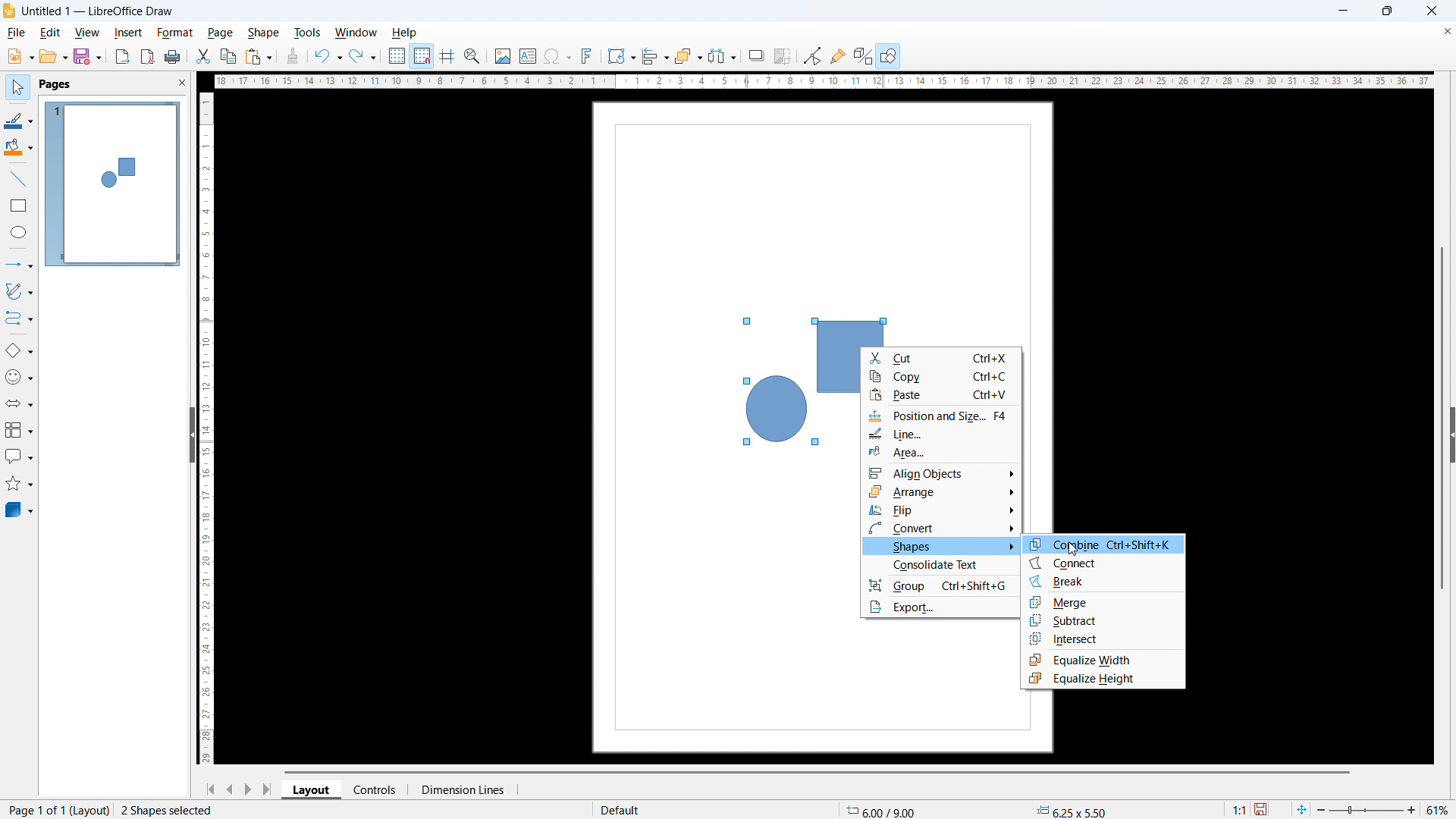 The image size is (1456, 819). Describe the element at coordinates (863, 56) in the screenshot. I see `toggle extrusion` at that location.